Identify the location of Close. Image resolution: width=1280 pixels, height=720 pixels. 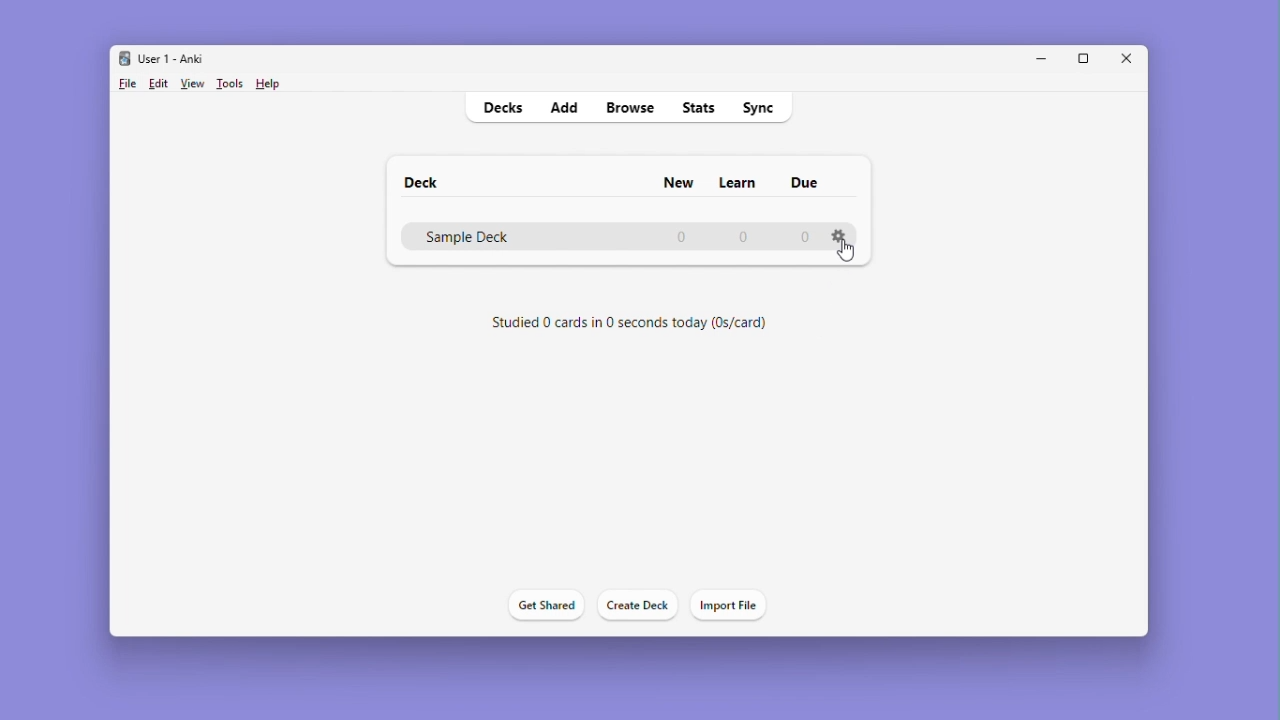
(1132, 58).